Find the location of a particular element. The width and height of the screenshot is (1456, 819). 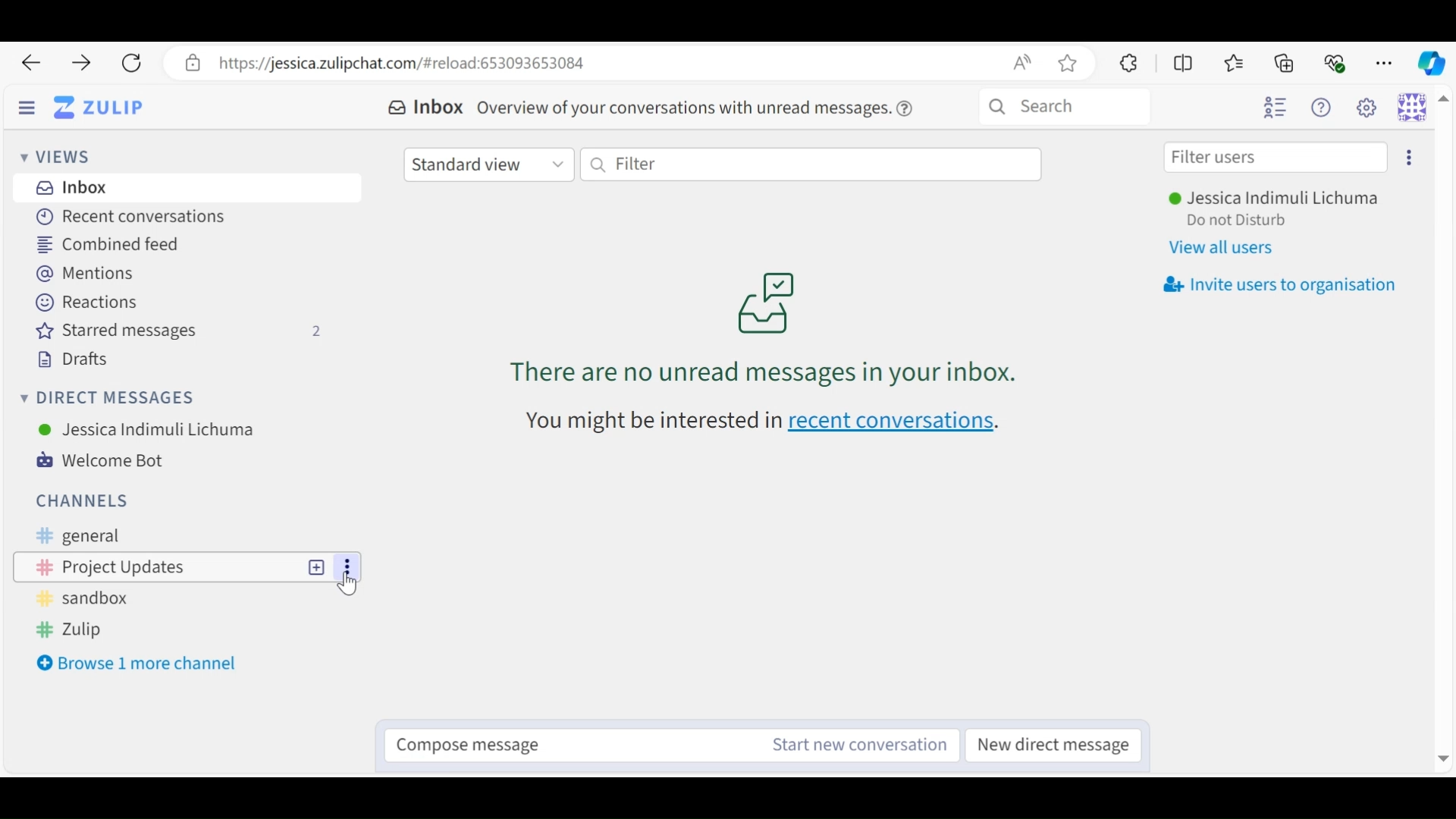

Reactions is located at coordinates (83, 302).